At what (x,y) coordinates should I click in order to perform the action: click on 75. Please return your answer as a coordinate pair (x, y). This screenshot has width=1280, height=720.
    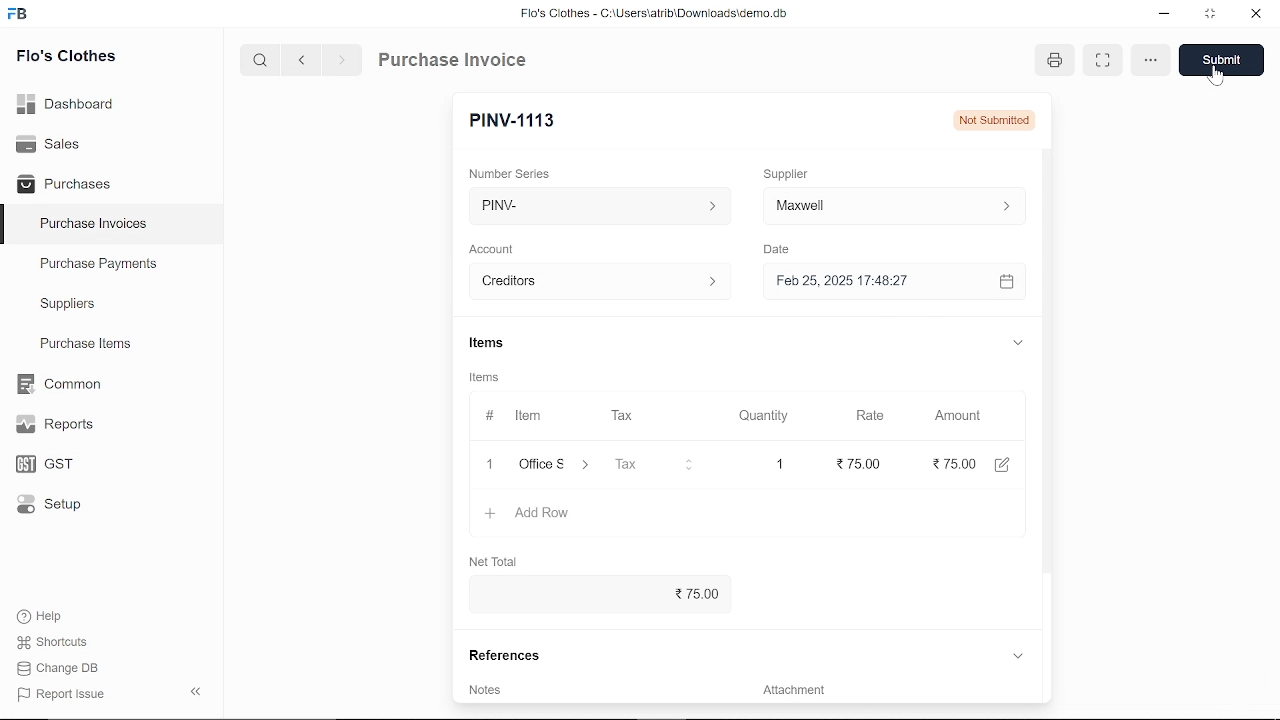
    Looking at the image, I should click on (850, 464).